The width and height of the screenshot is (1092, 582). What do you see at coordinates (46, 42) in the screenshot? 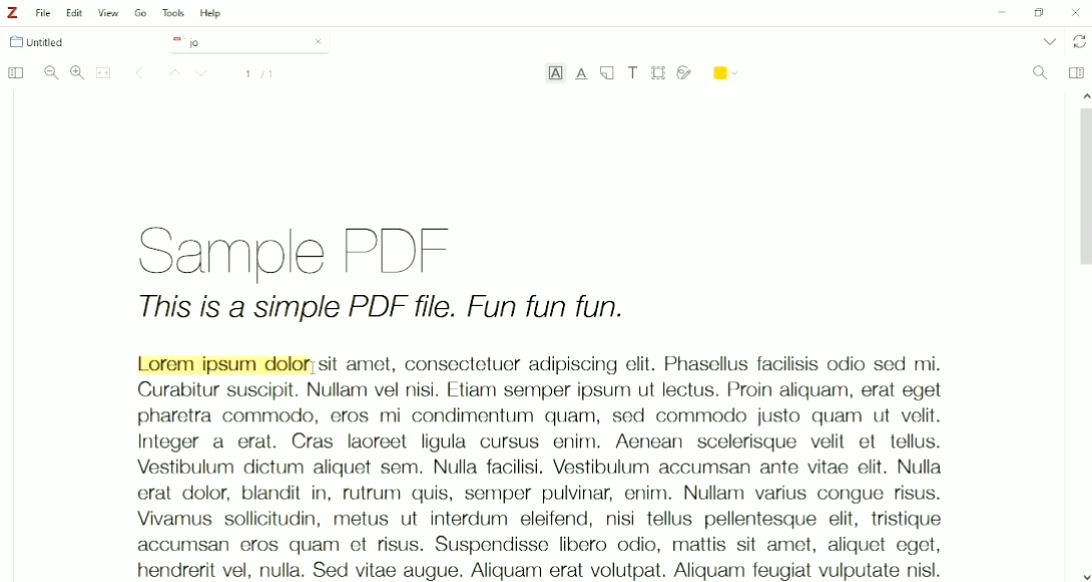
I see `Untitled` at bounding box center [46, 42].